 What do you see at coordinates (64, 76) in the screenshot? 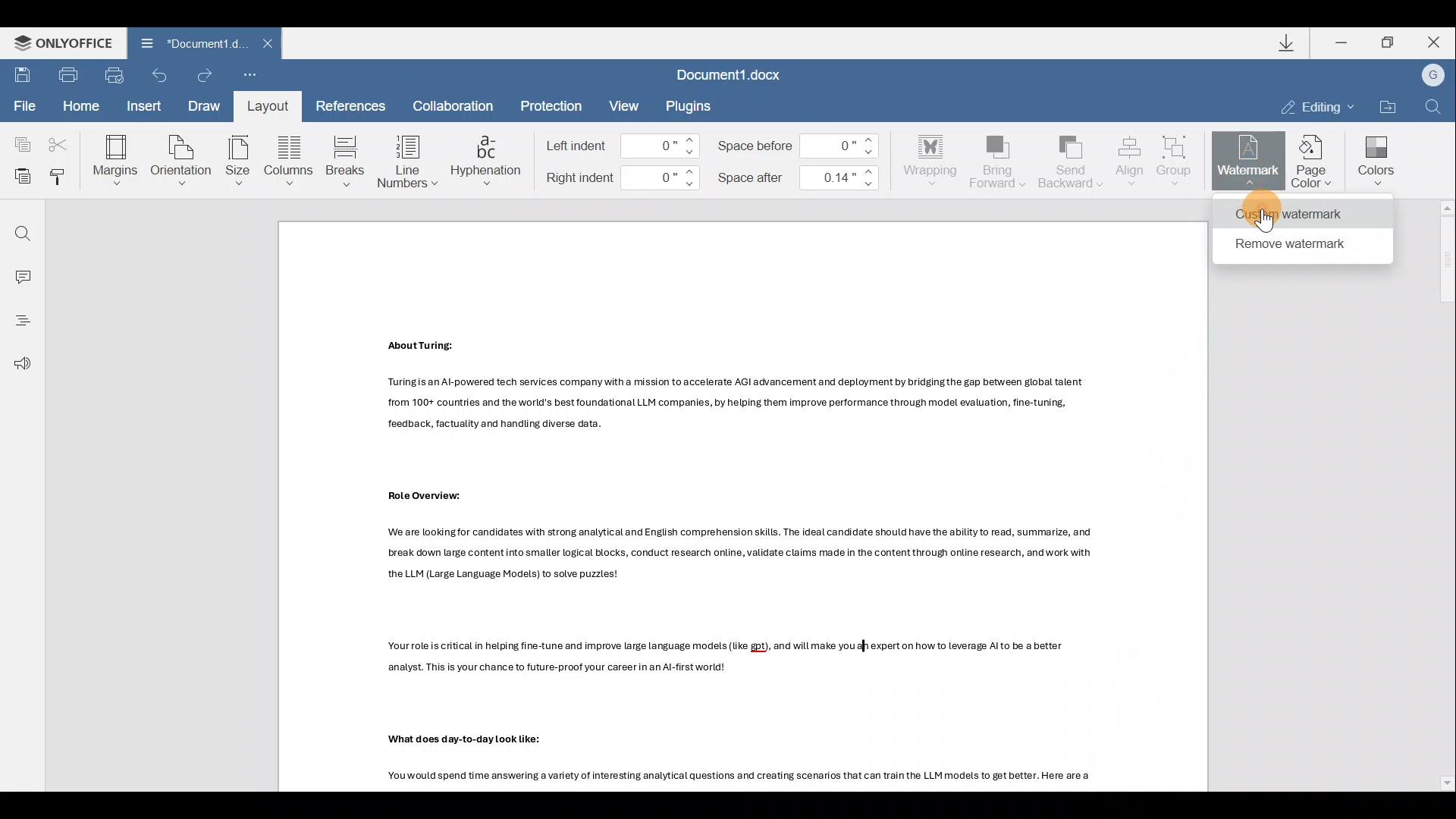
I see `Print file` at bounding box center [64, 76].